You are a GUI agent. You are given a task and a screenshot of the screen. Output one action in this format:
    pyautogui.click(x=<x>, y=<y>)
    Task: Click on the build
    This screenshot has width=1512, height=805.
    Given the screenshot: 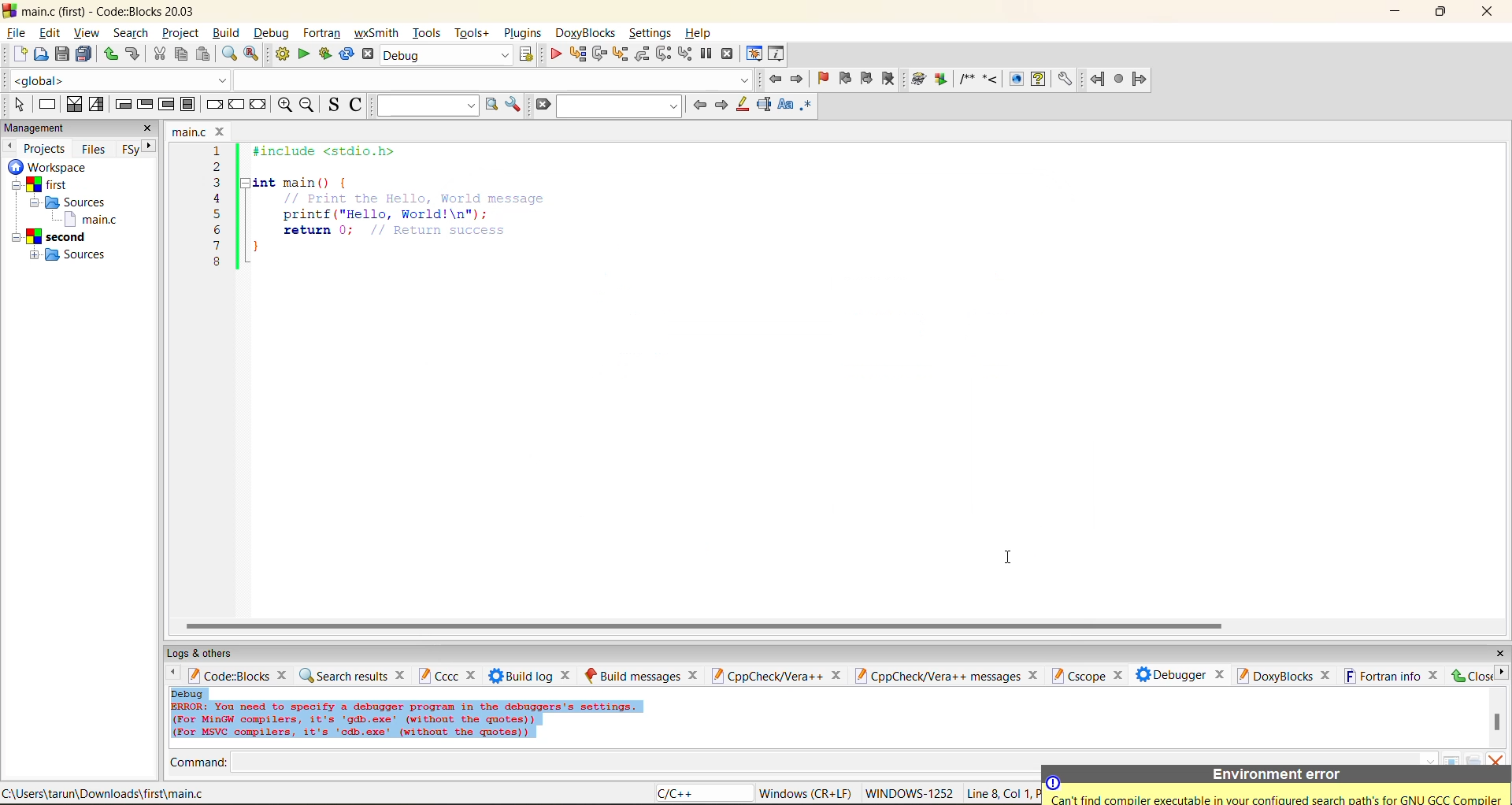 What is the action you would take?
    pyautogui.click(x=282, y=54)
    